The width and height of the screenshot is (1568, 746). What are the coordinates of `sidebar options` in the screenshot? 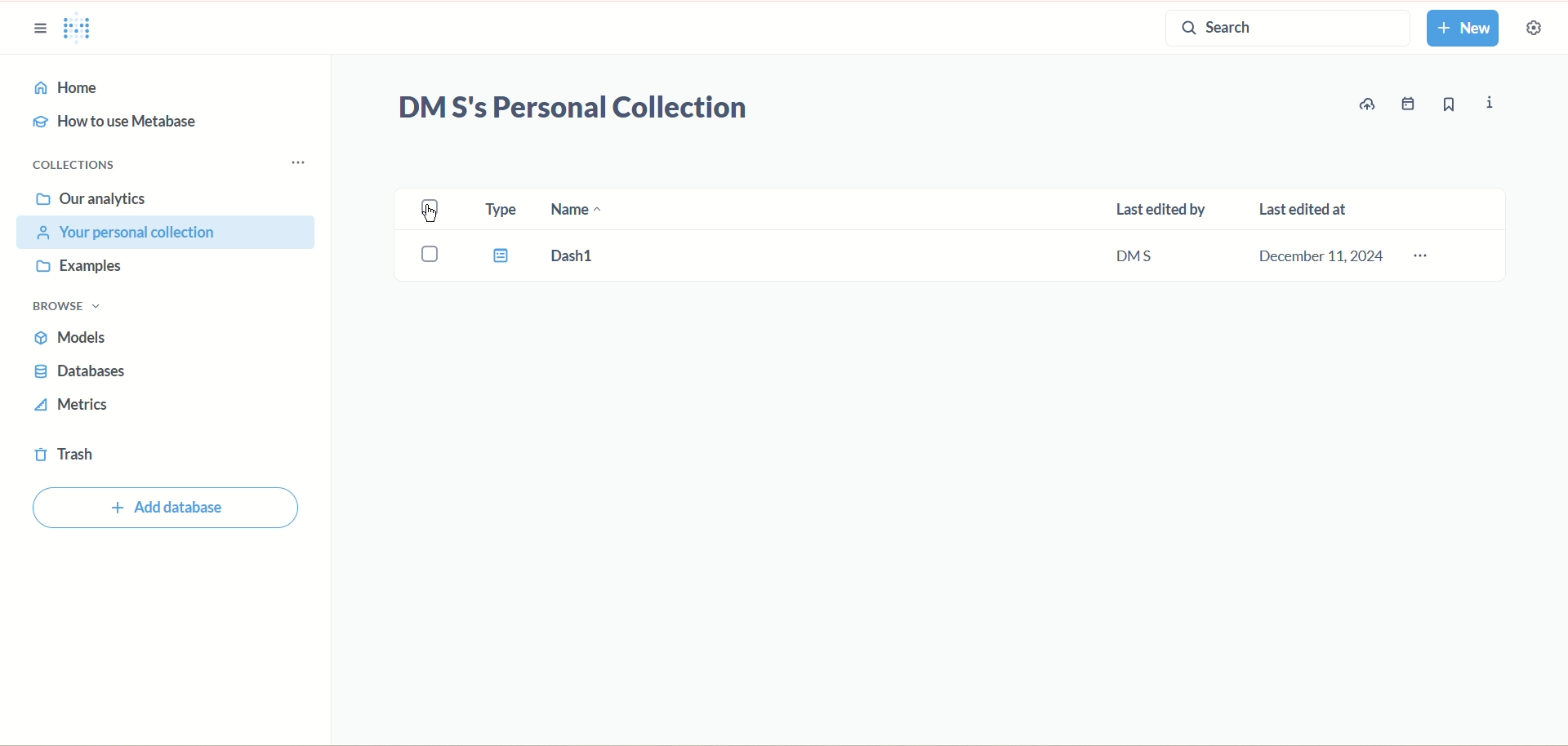 It's located at (37, 29).